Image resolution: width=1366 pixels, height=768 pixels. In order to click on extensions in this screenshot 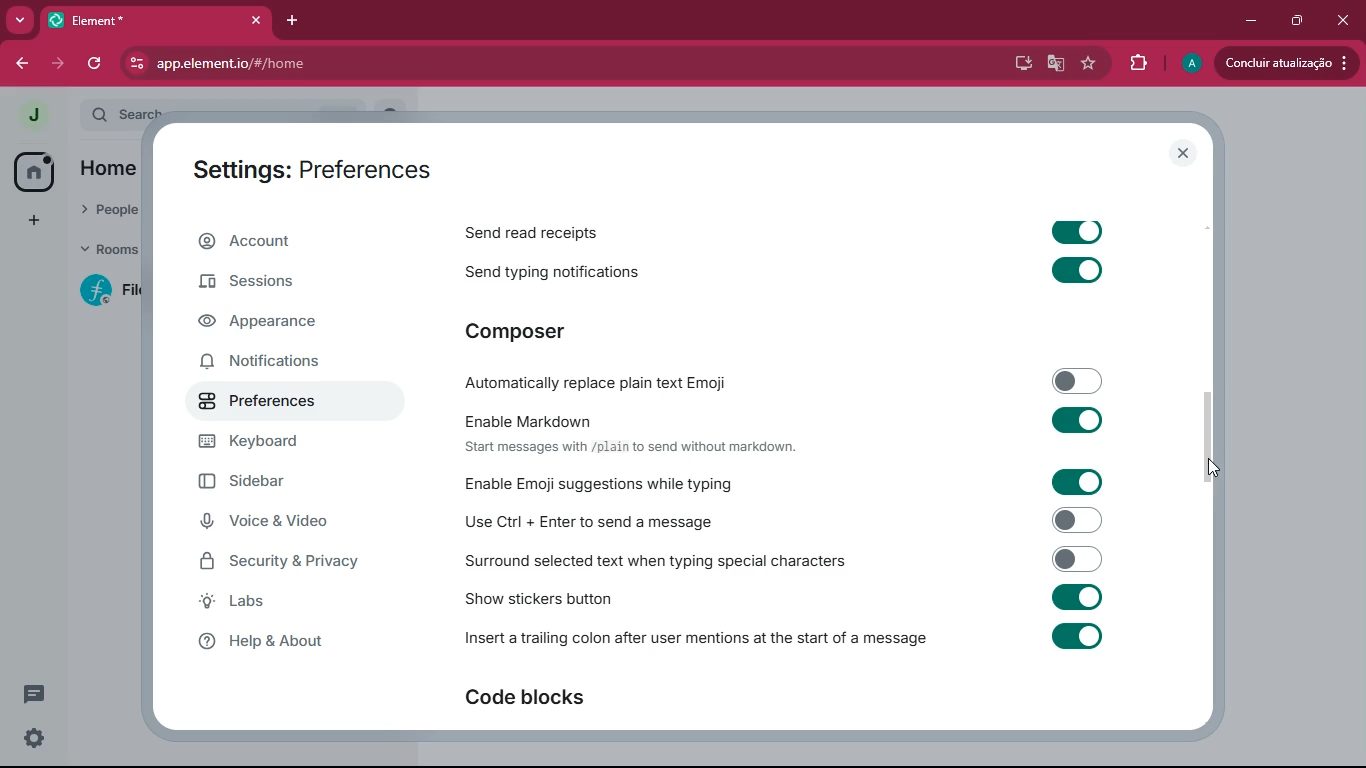, I will do `click(1136, 62)`.